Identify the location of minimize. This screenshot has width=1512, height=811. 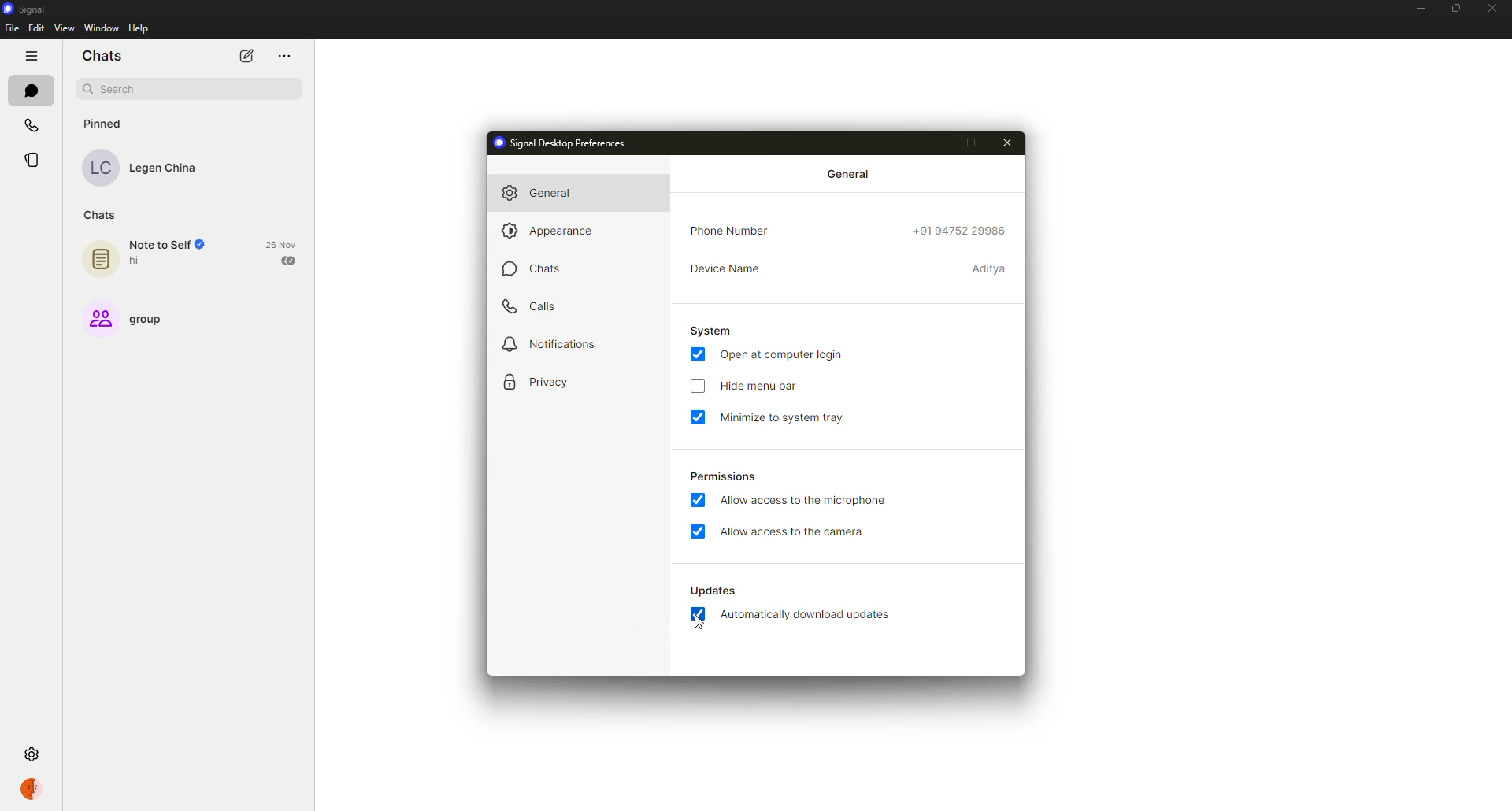
(1416, 9).